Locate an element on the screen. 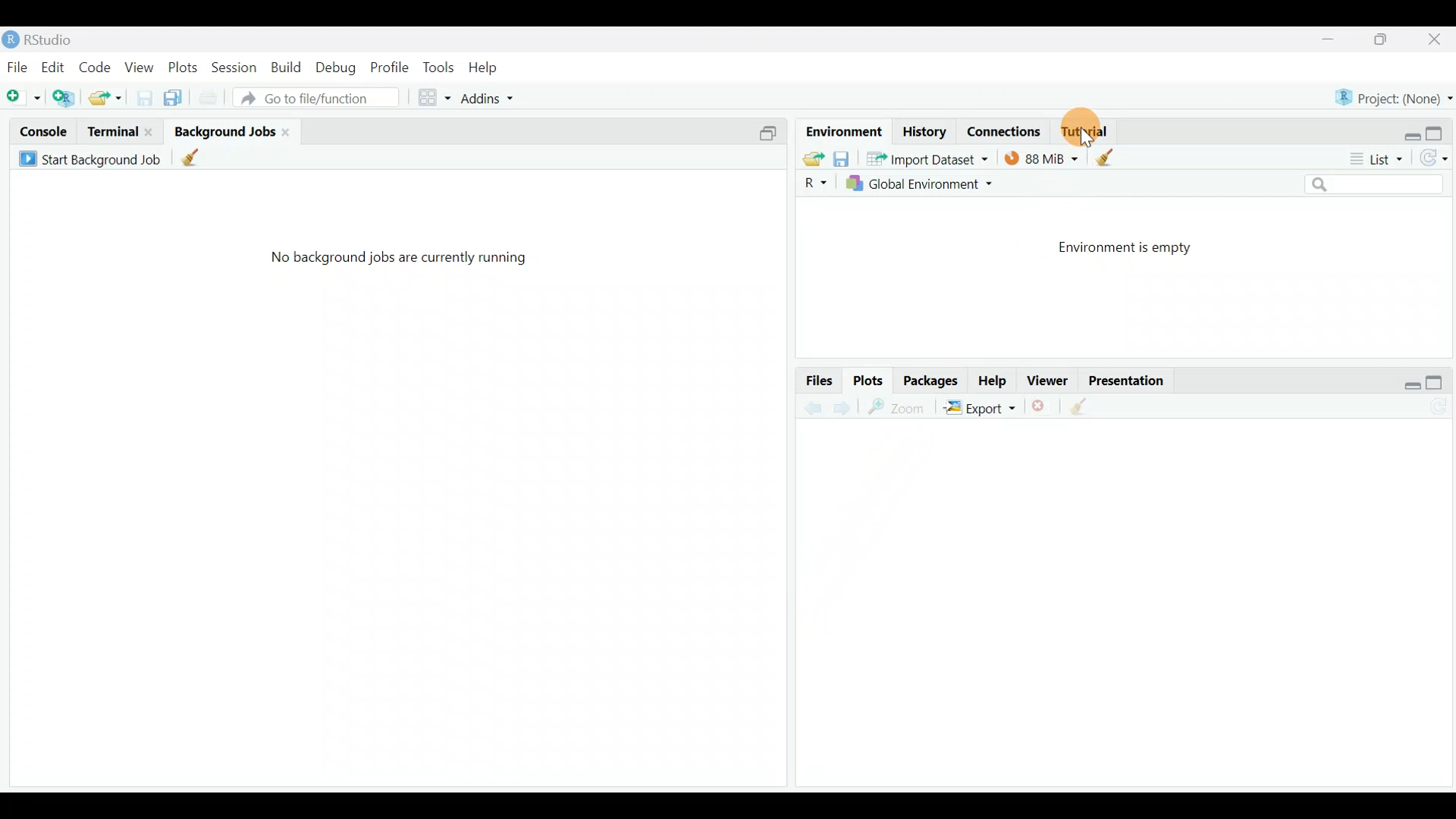 Image resolution: width=1456 pixels, height=819 pixels. Debug is located at coordinates (338, 71).